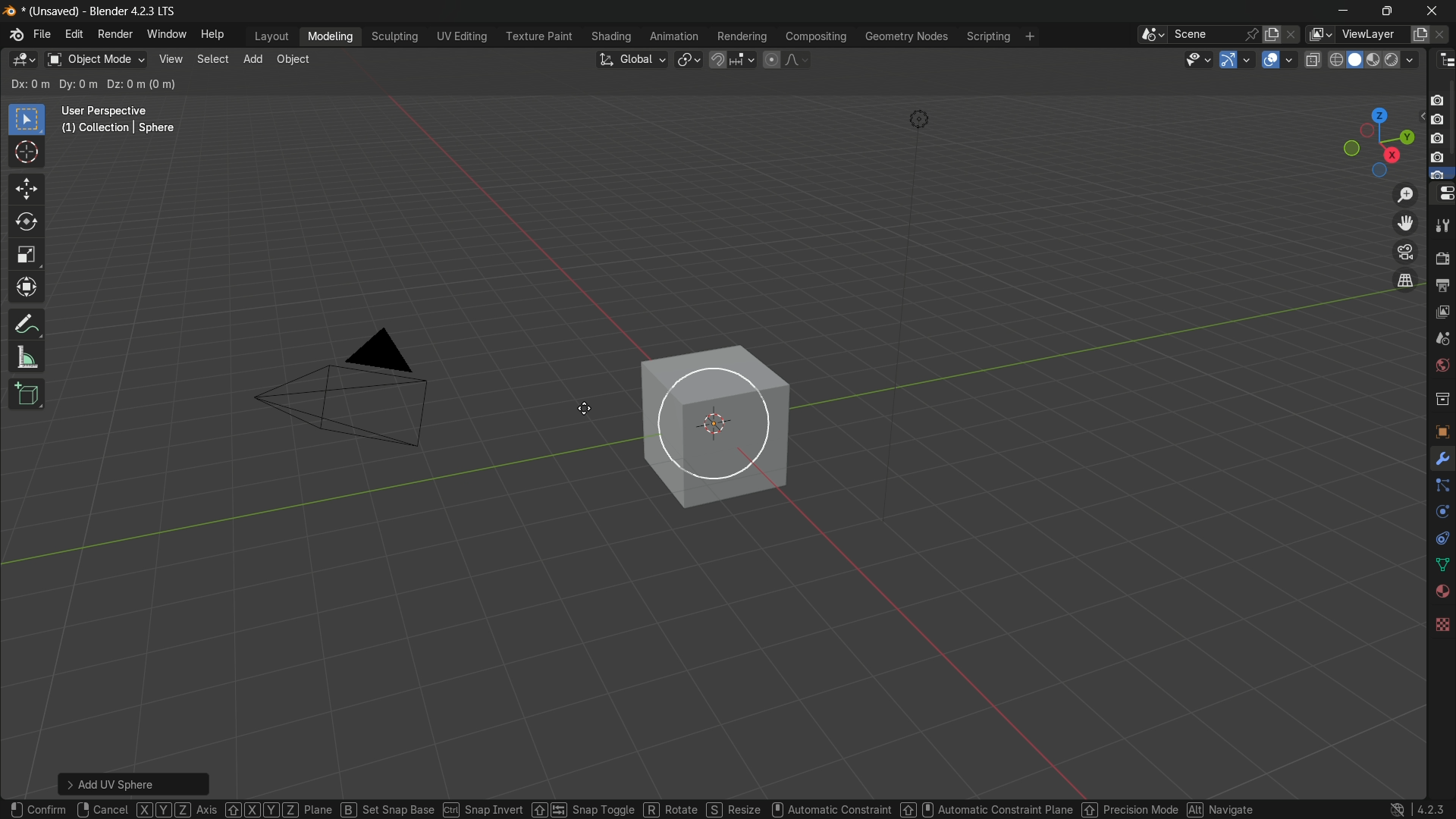  I want to click on scale, so click(28, 256).